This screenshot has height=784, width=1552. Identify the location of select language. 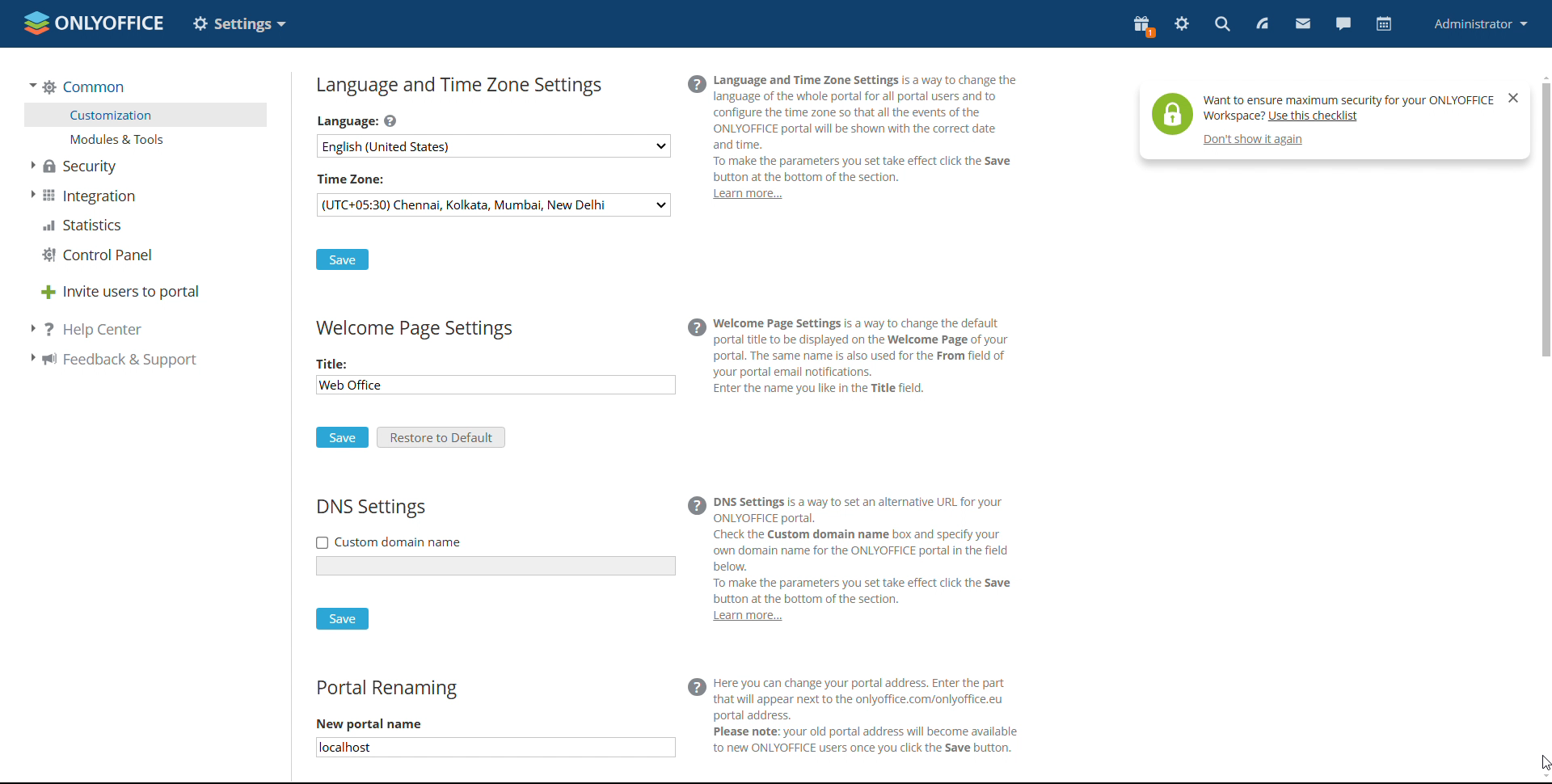
(494, 145).